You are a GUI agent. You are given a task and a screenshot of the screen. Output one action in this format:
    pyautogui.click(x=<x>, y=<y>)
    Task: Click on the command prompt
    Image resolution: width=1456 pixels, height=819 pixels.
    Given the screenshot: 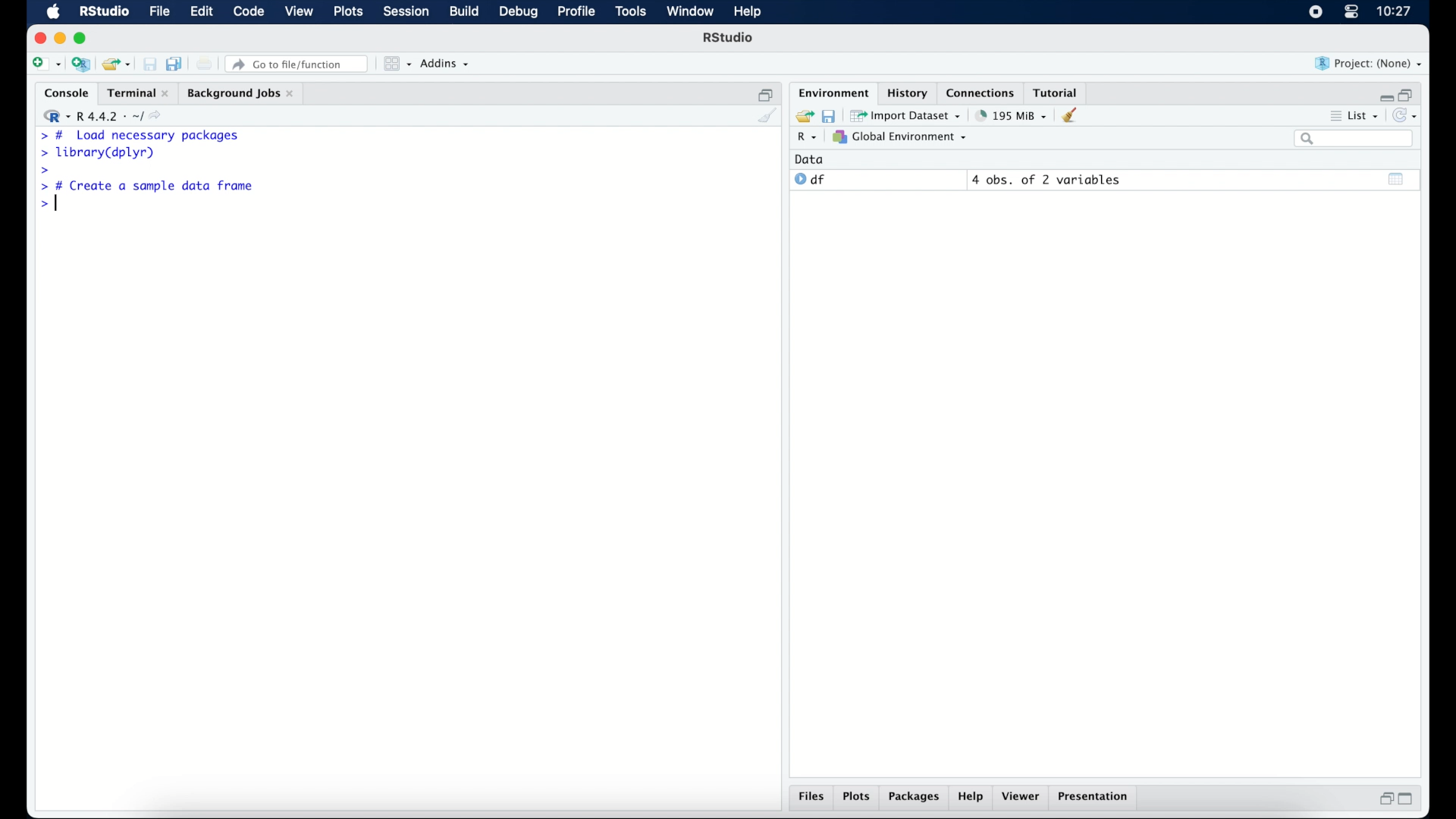 What is the action you would take?
    pyautogui.click(x=42, y=171)
    